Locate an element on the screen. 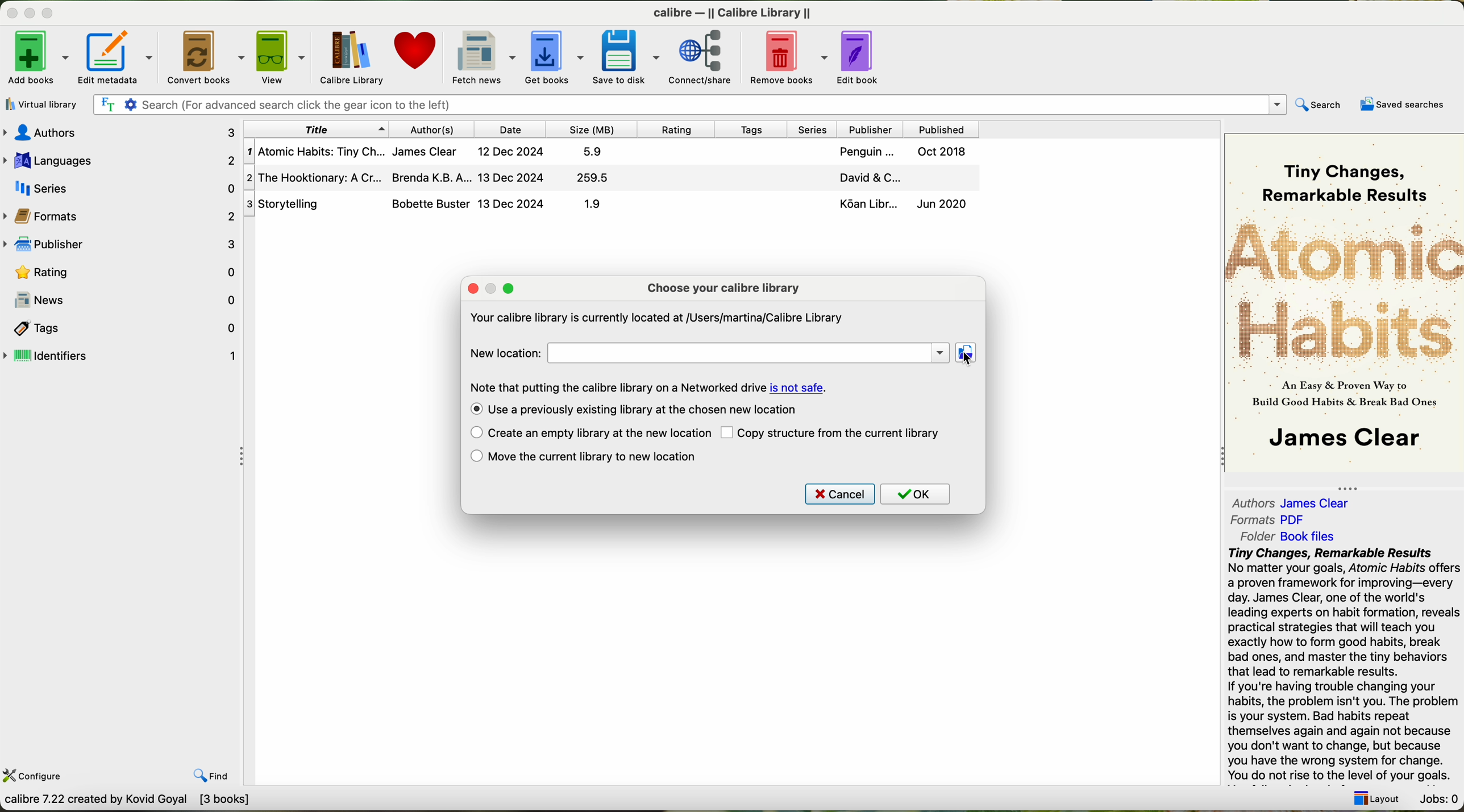  James Clear is located at coordinates (1341, 440).